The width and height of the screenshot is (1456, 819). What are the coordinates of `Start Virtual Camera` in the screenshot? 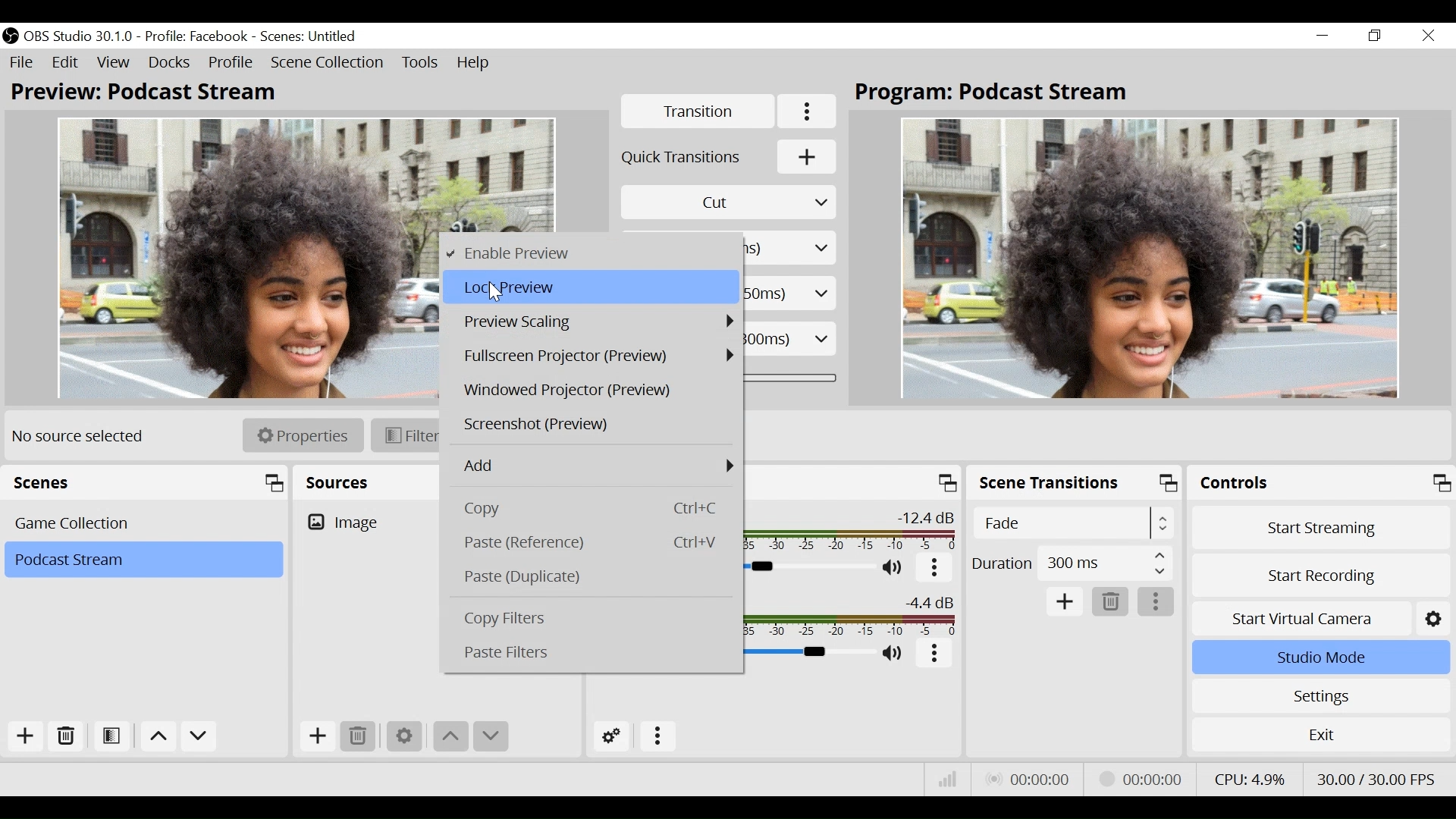 It's located at (1318, 618).